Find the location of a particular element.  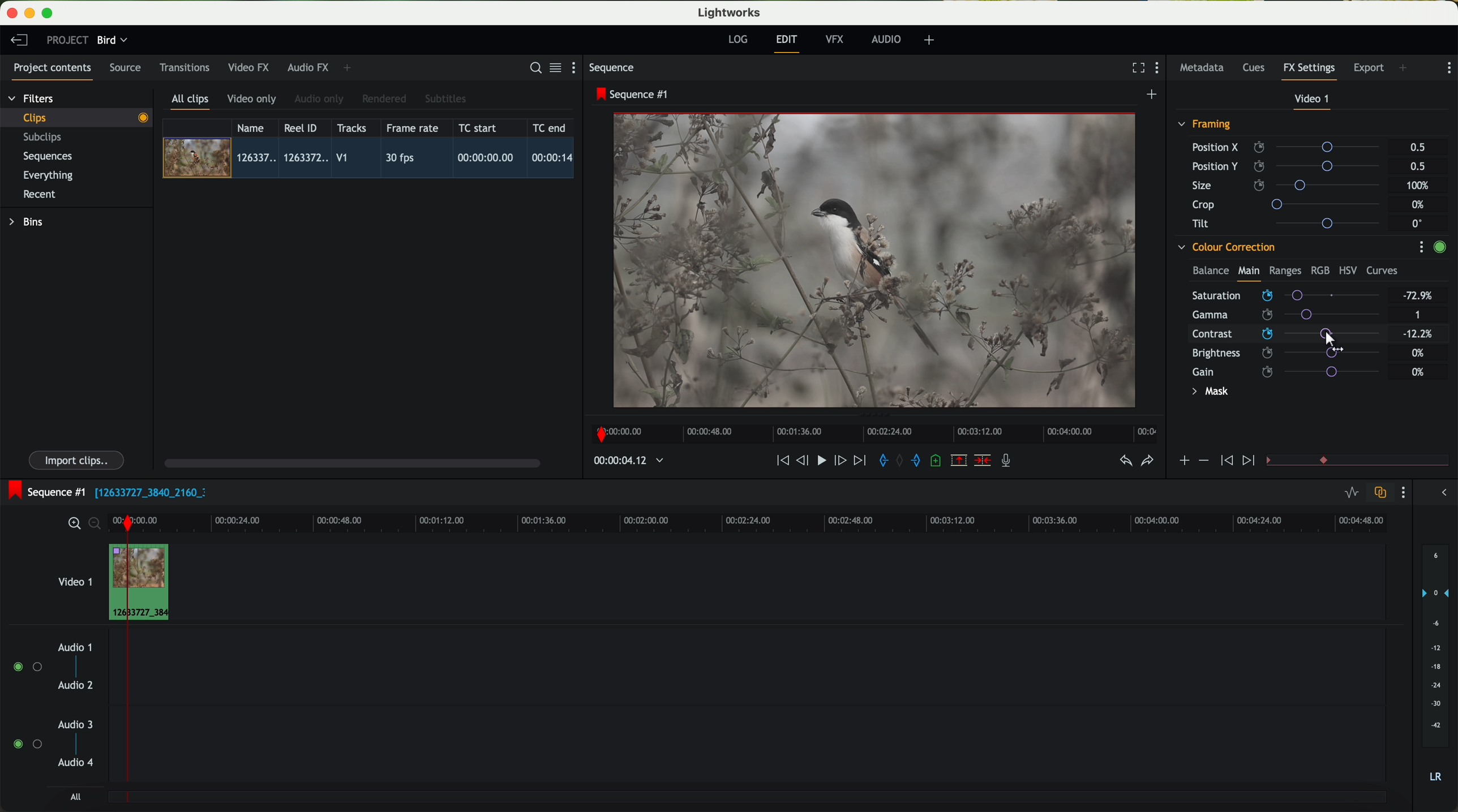

timeline is located at coordinates (871, 431).